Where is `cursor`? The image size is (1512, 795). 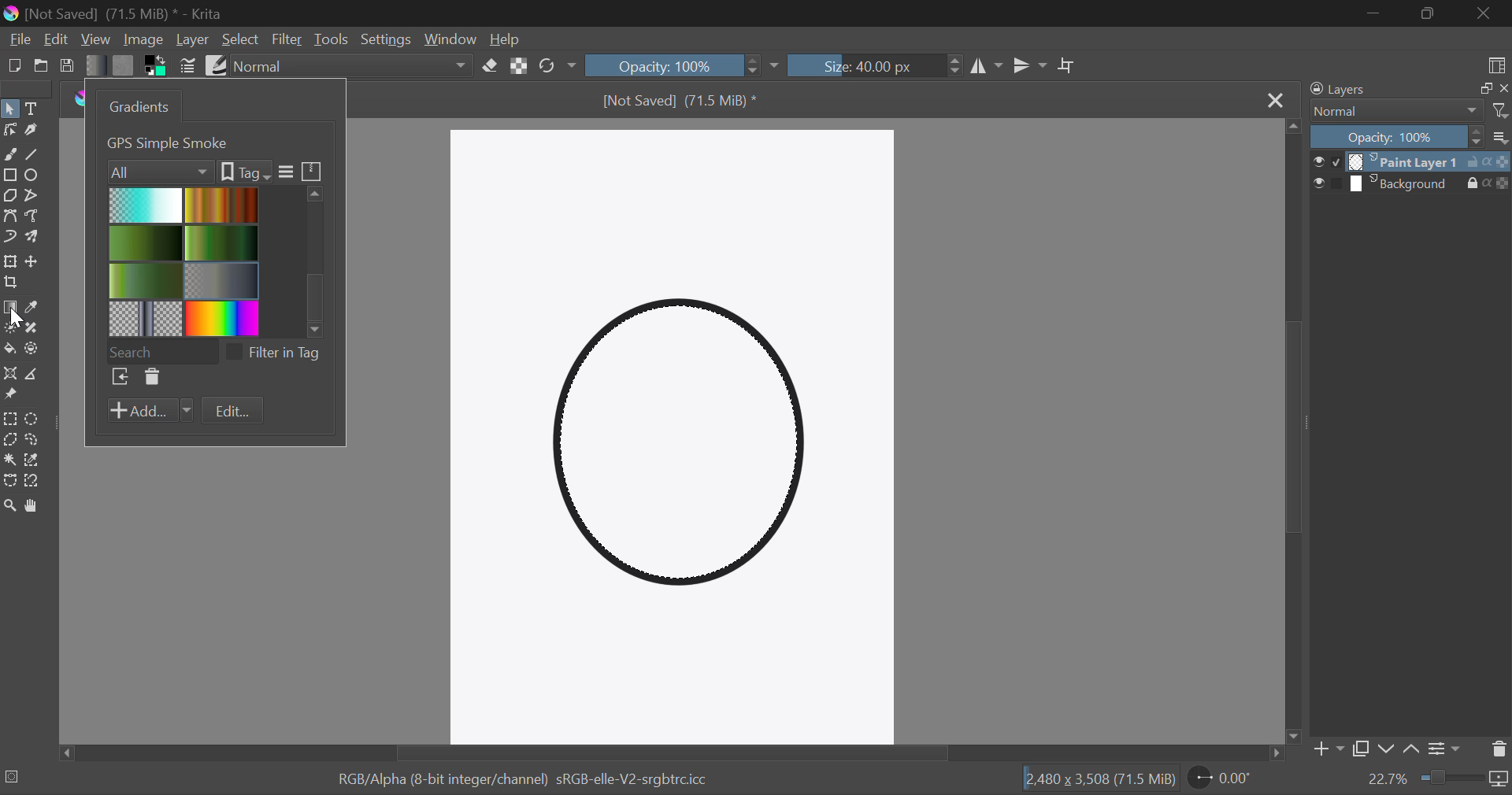
cursor is located at coordinates (21, 320).